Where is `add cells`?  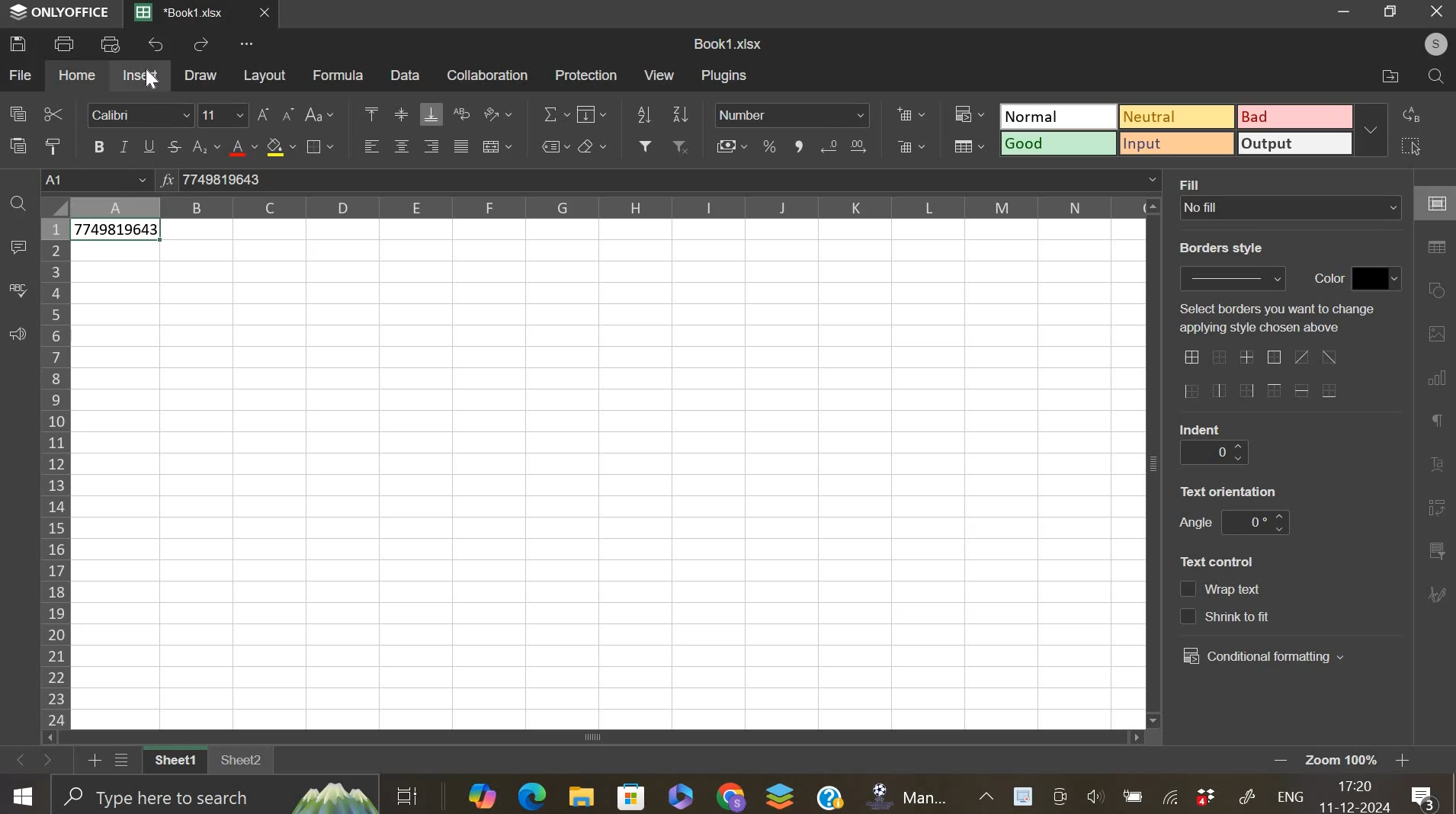 add cells is located at coordinates (910, 114).